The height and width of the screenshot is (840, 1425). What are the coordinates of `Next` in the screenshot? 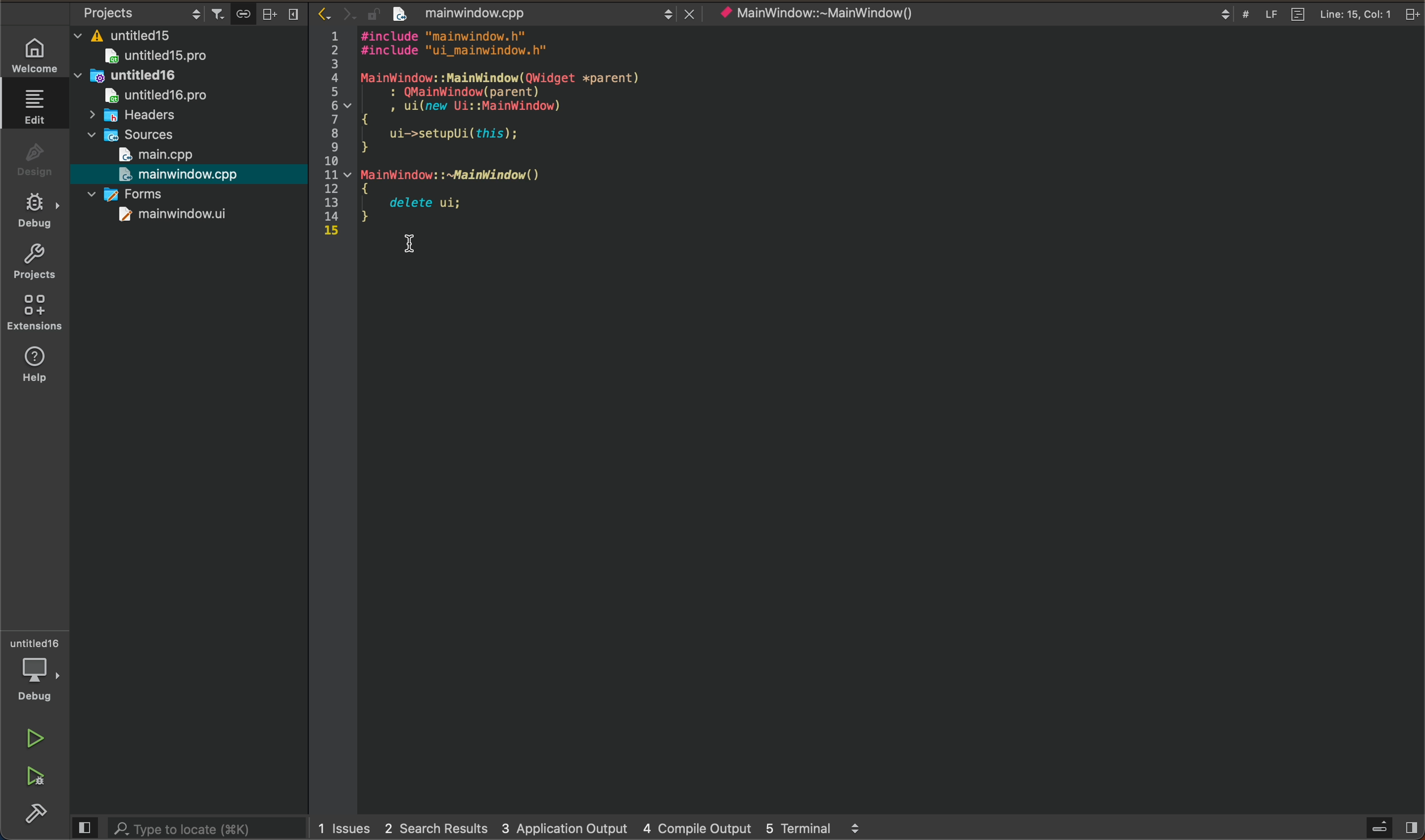 It's located at (348, 12).